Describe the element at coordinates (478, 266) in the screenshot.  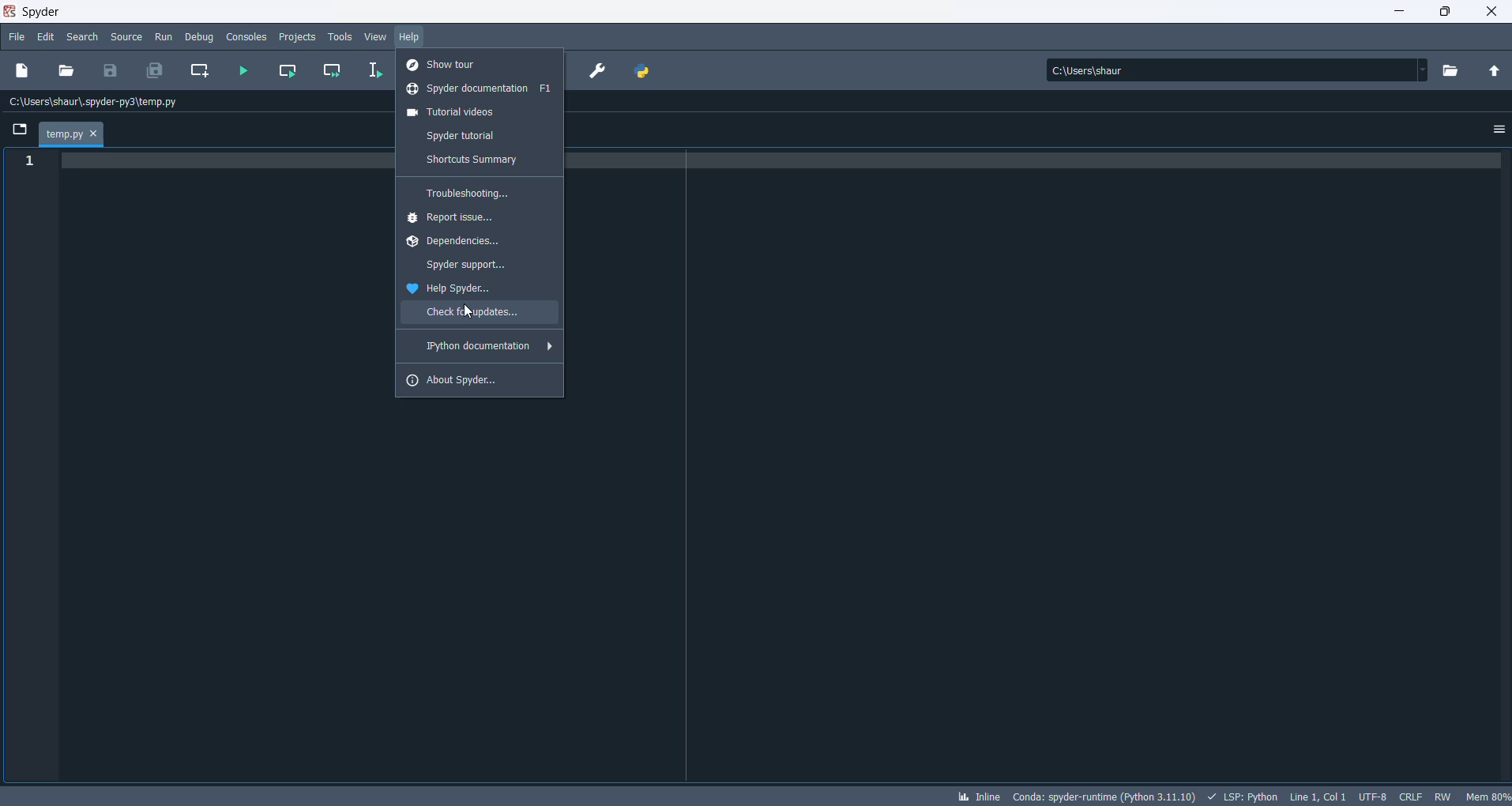
I see `spyder support` at that location.